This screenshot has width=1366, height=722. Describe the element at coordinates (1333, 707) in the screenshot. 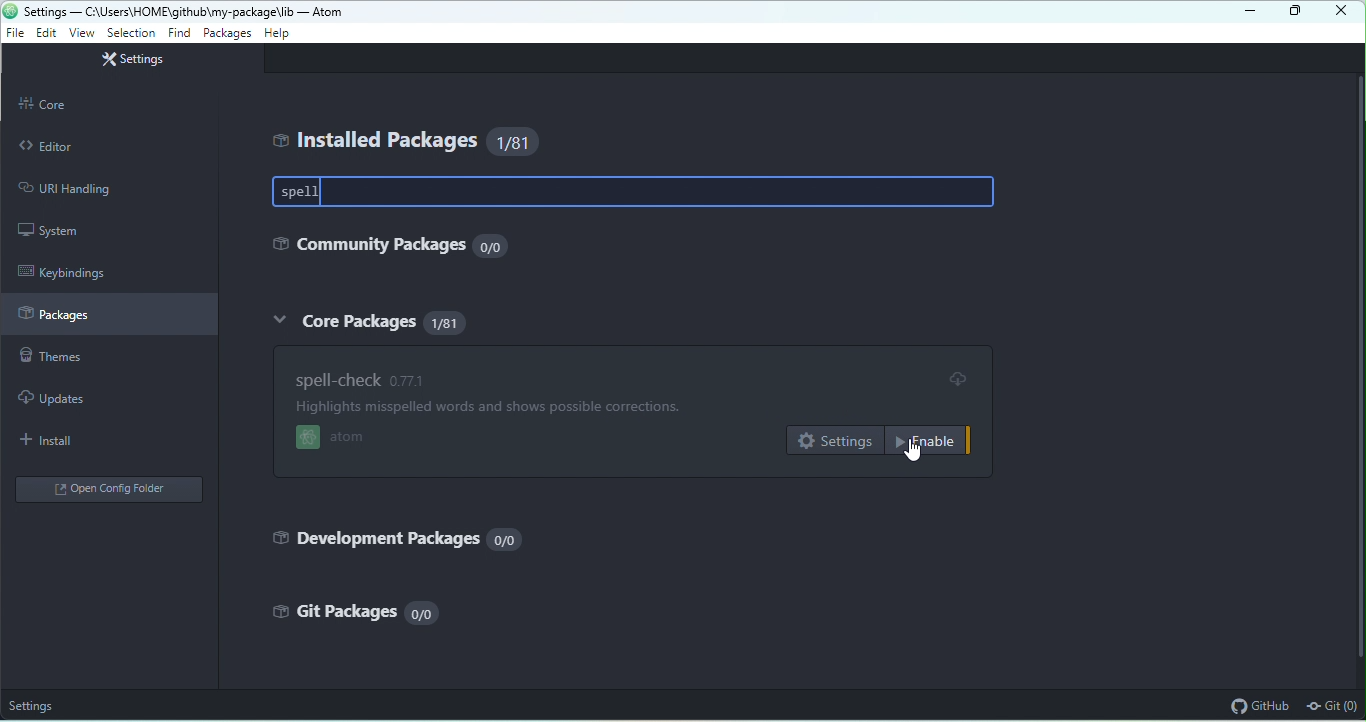

I see `git` at that location.